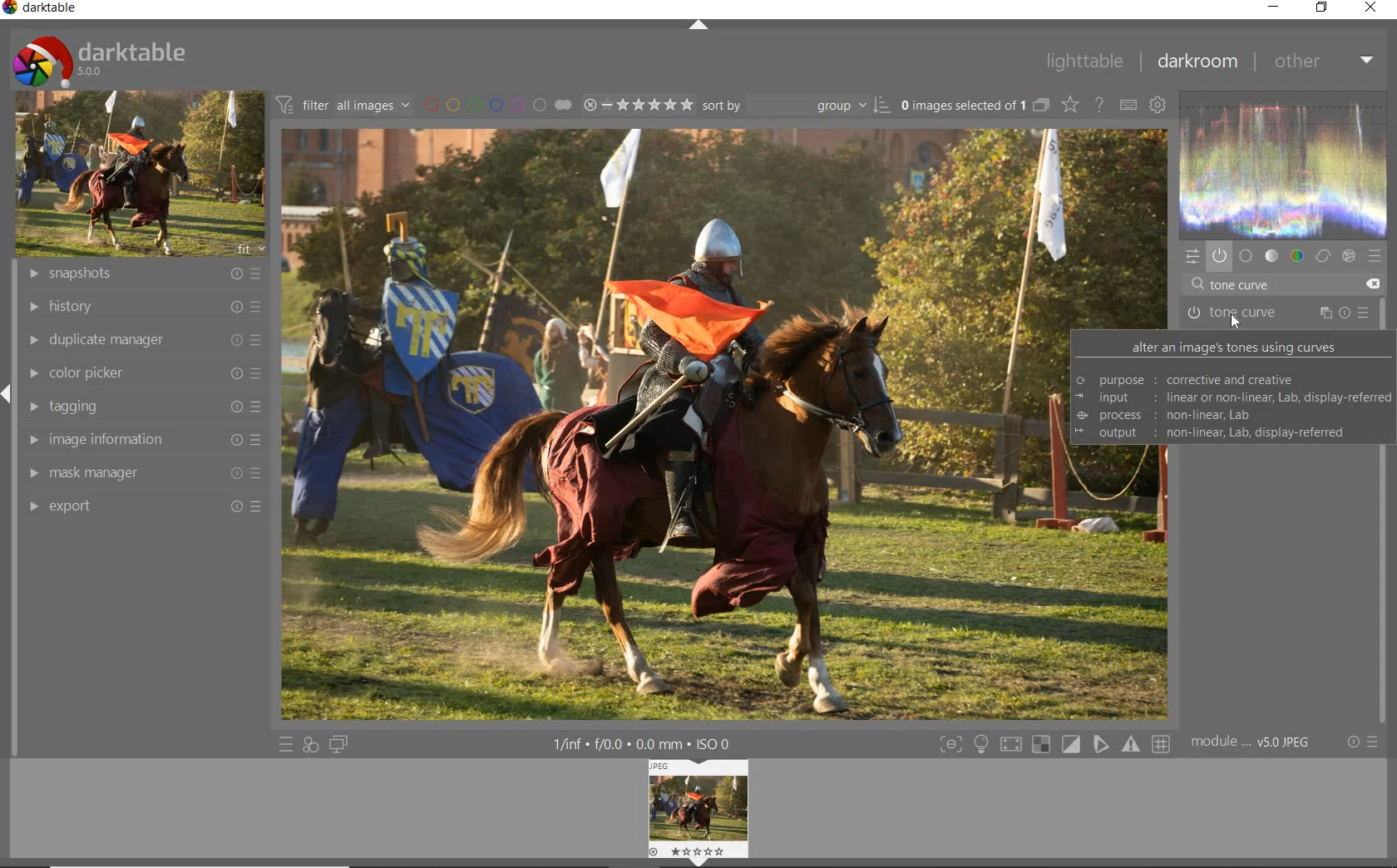 The image size is (1397, 868). What do you see at coordinates (1128, 106) in the screenshot?
I see `define keyboard shortcuts` at bounding box center [1128, 106].